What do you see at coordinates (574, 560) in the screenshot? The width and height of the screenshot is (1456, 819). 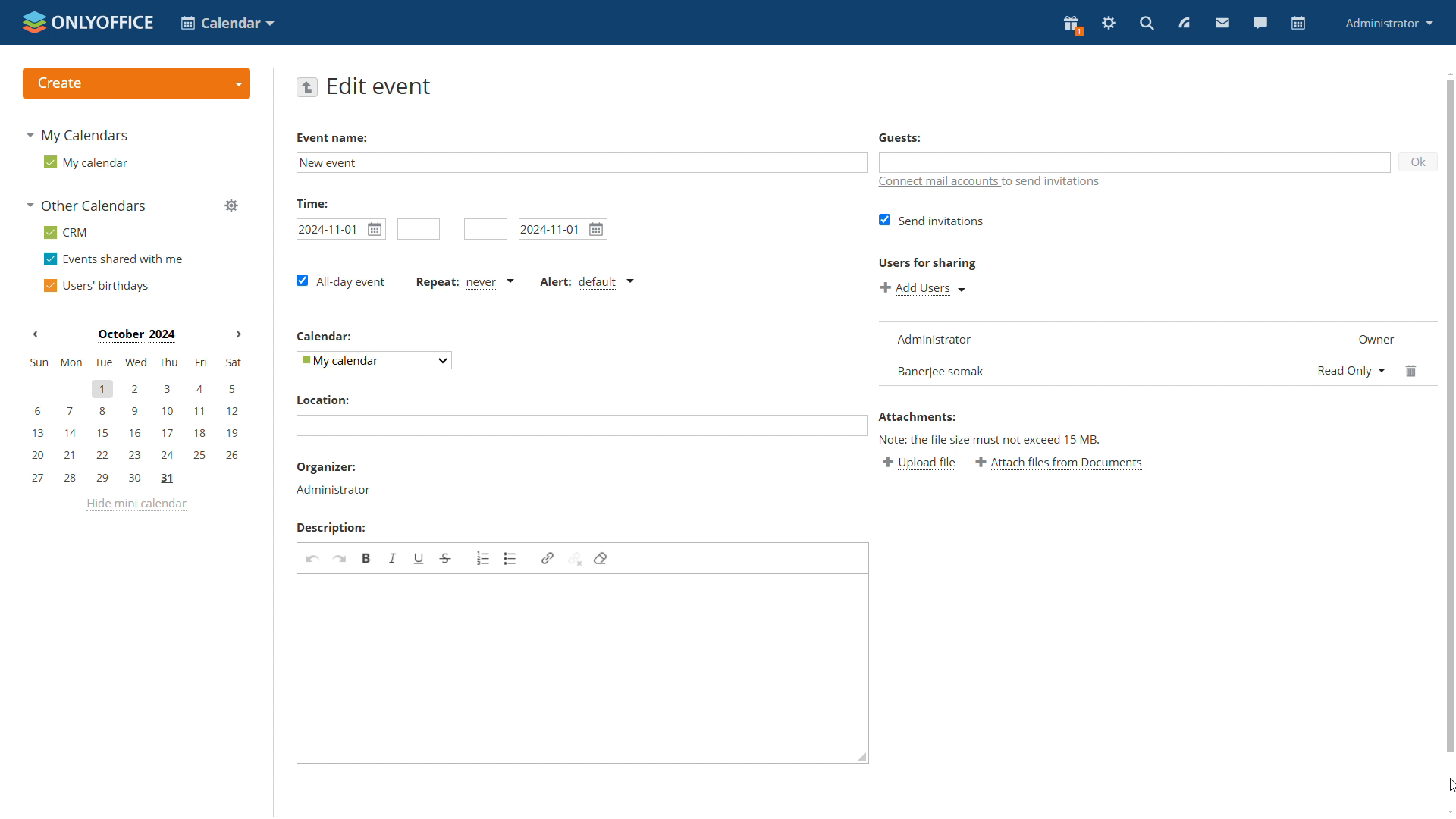 I see `unlink` at bounding box center [574, 560].